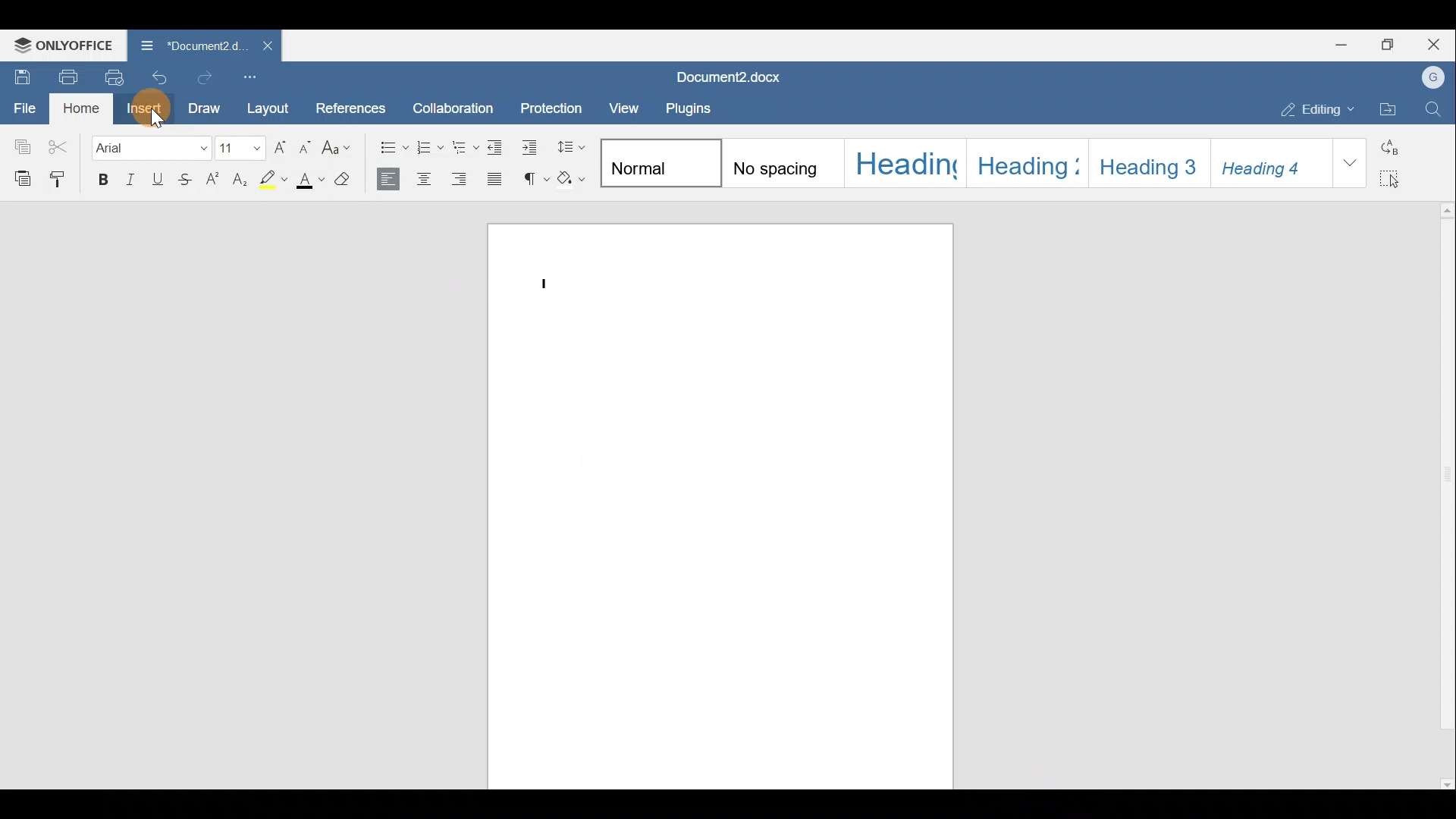  I want to click on Nonprinting characters, so click(532, 177).